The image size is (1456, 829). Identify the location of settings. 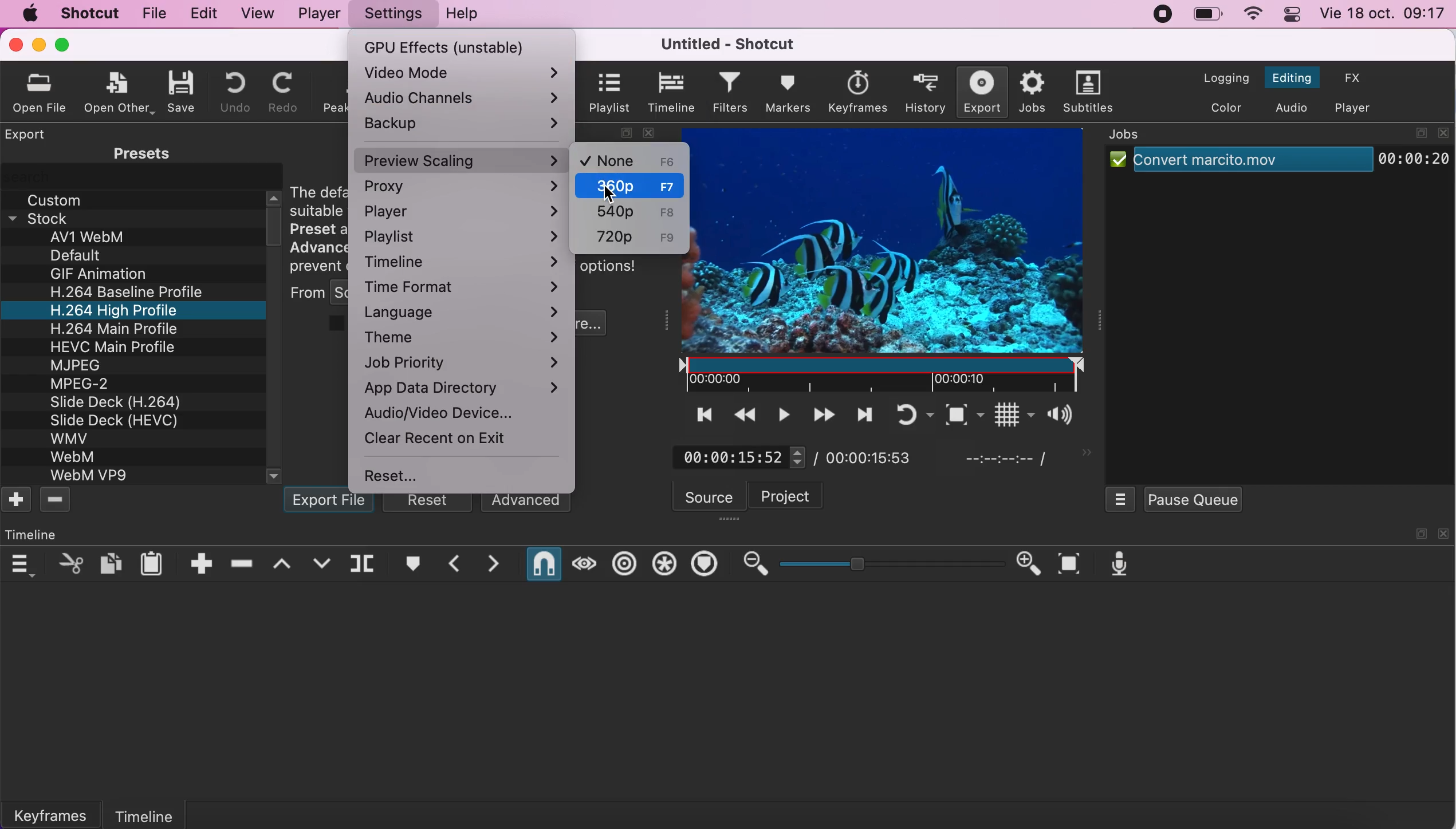
(391, 14).